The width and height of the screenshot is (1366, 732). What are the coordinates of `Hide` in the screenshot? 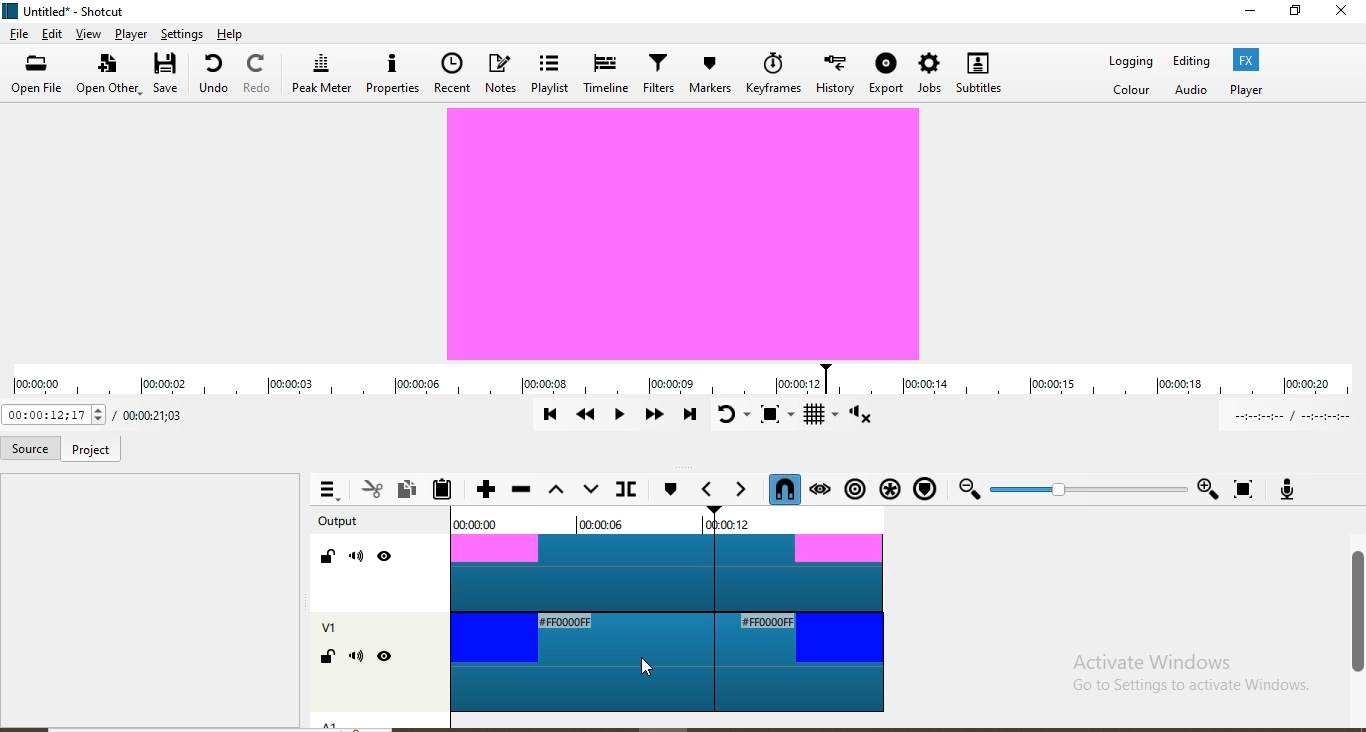 It's located at (387, 557).